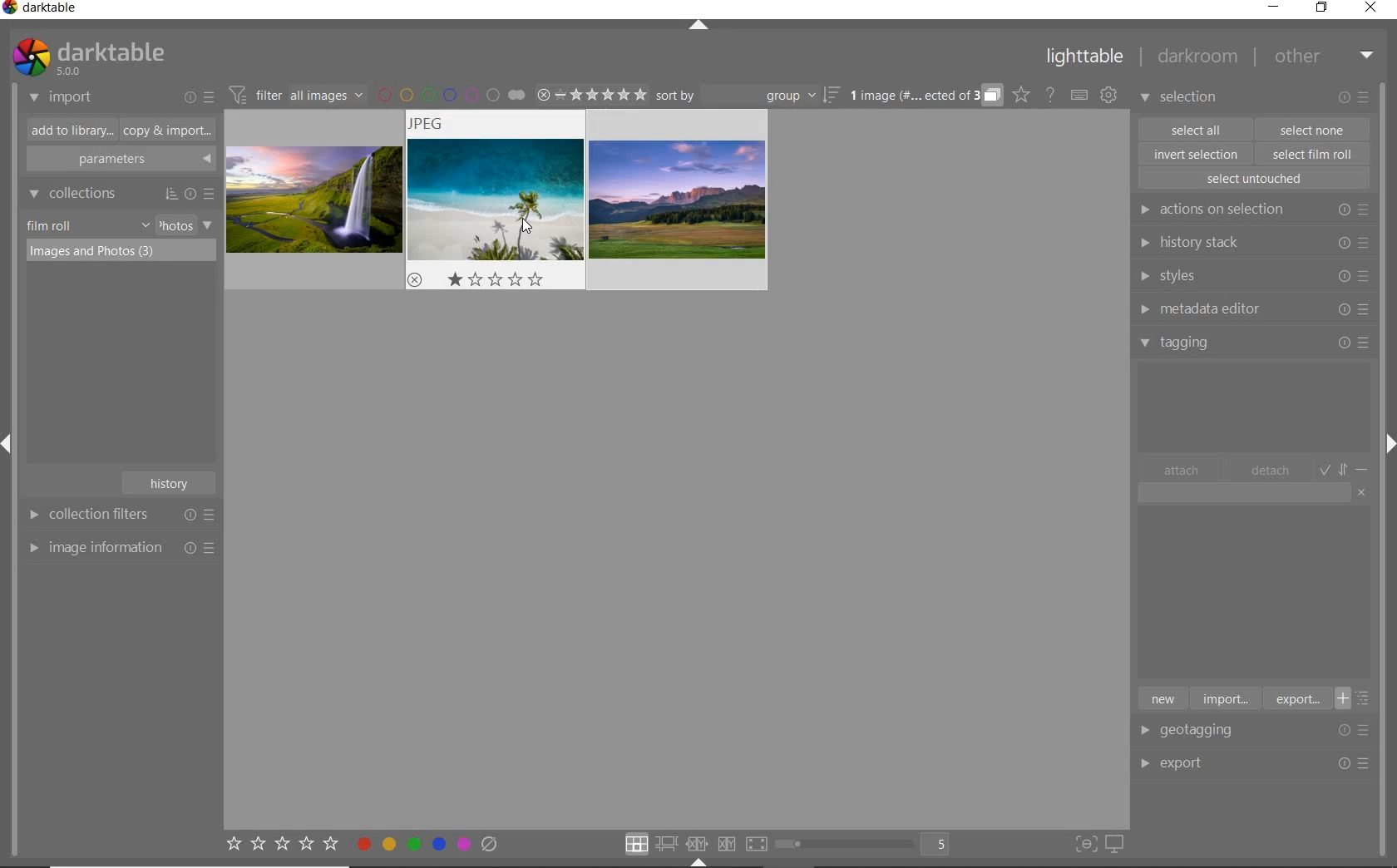  I want to click on collection filters, so click(119, 514).